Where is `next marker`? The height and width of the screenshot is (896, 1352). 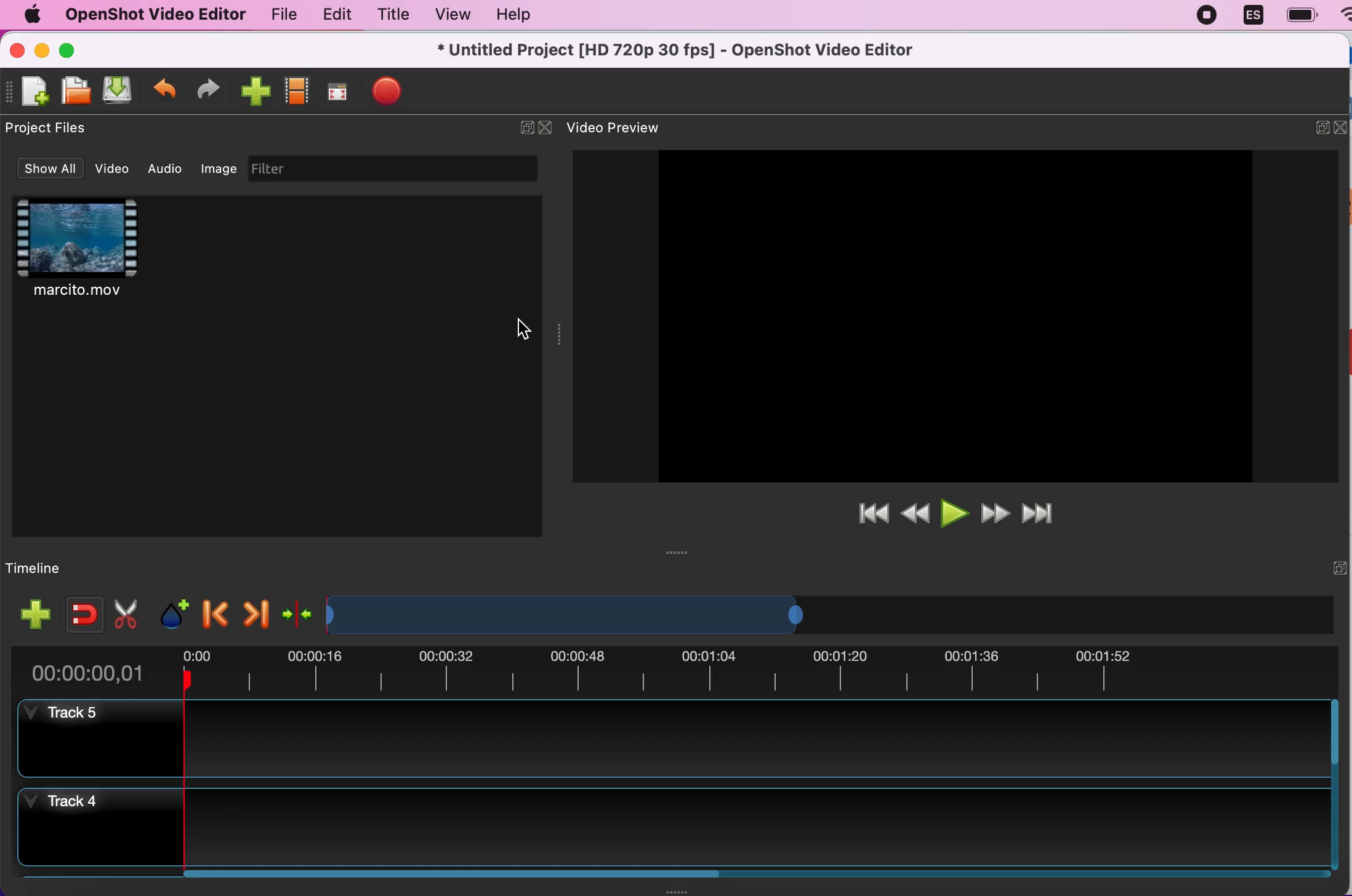 next marker is located at coordinates (255, 612).